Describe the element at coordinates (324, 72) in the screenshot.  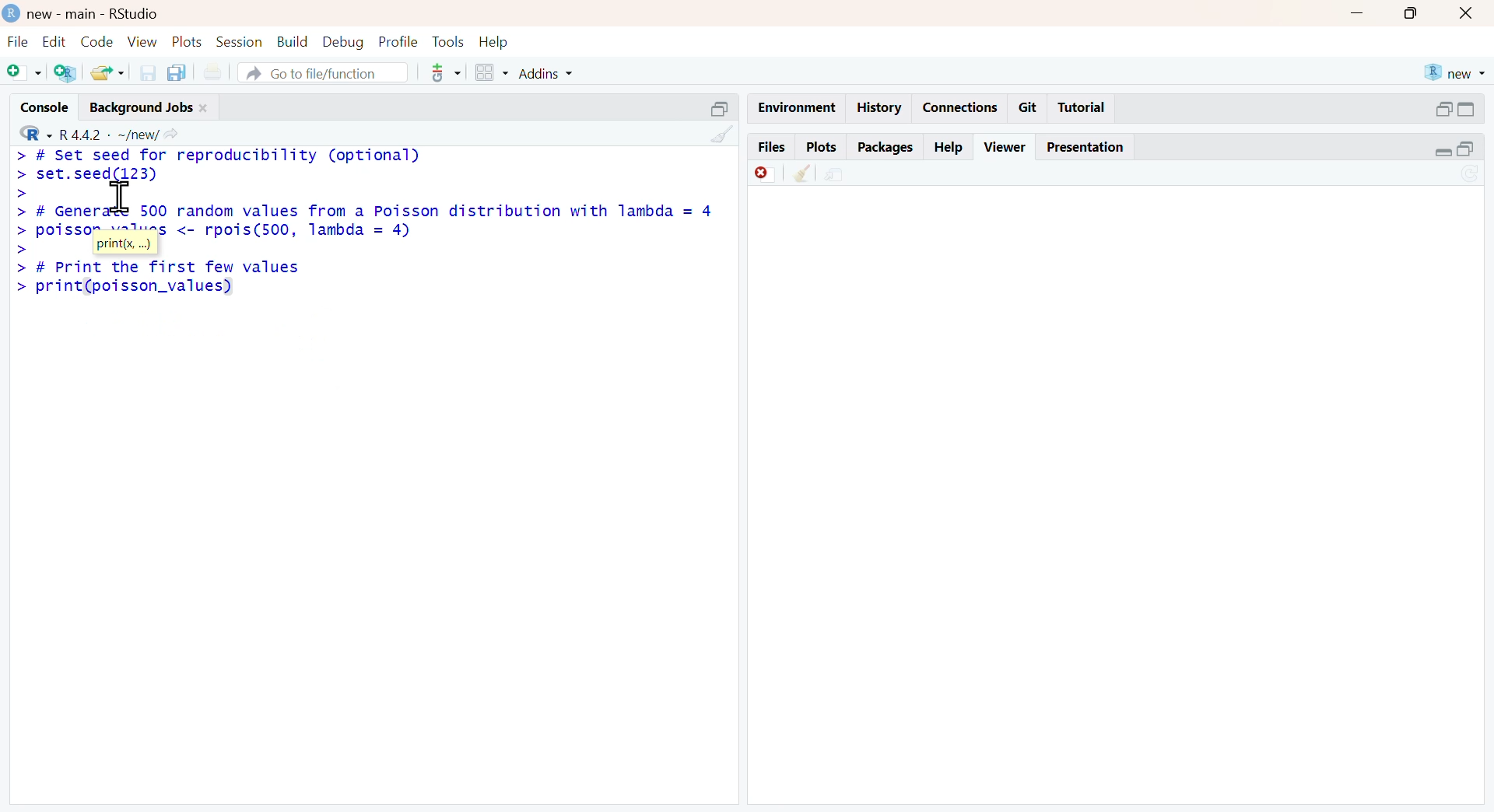
I see `go to file/function` at that location.